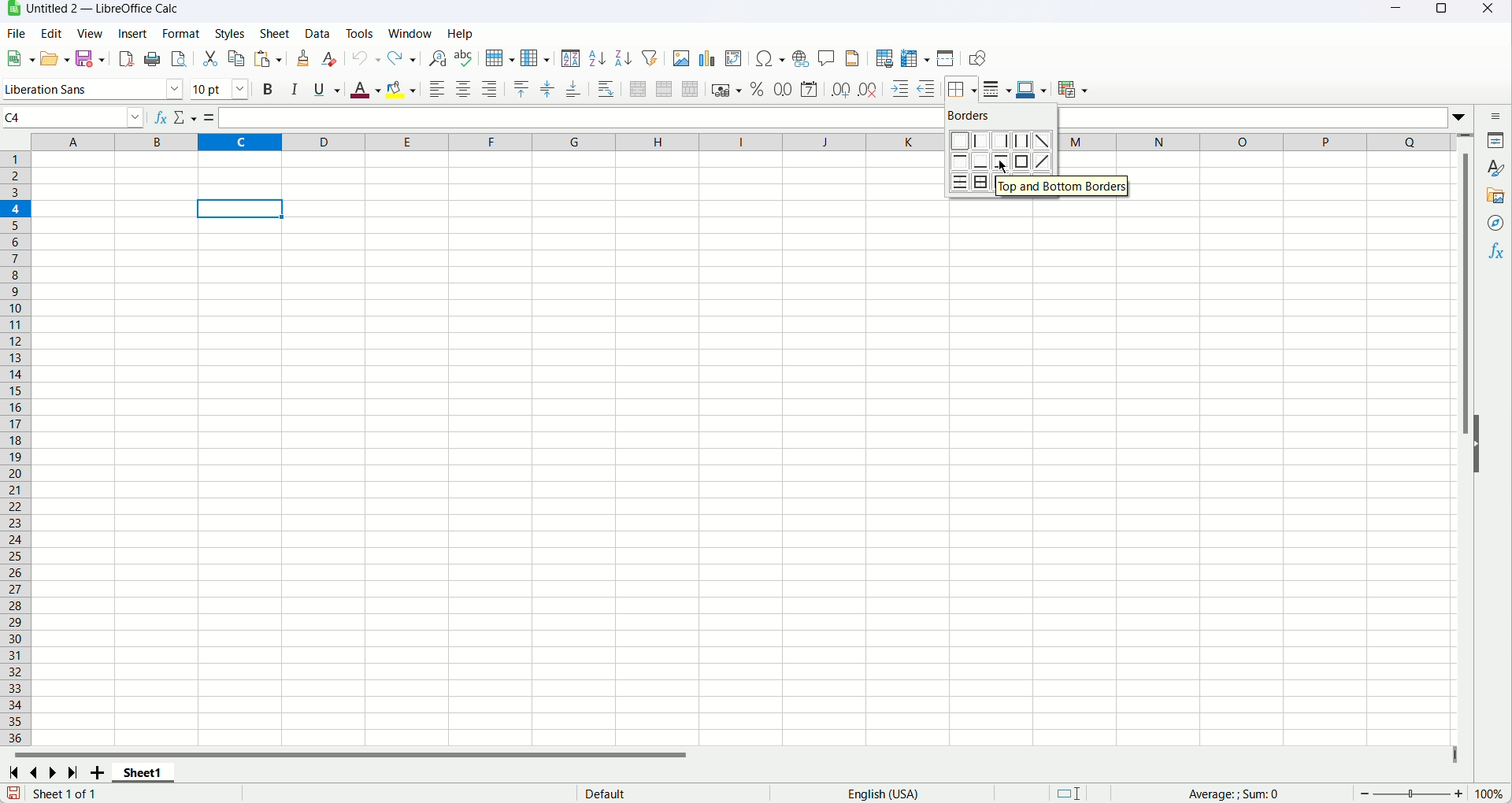 The width and height of the screenshot is (1512, 803). I want to click on Insert comment, so click(826, 57).